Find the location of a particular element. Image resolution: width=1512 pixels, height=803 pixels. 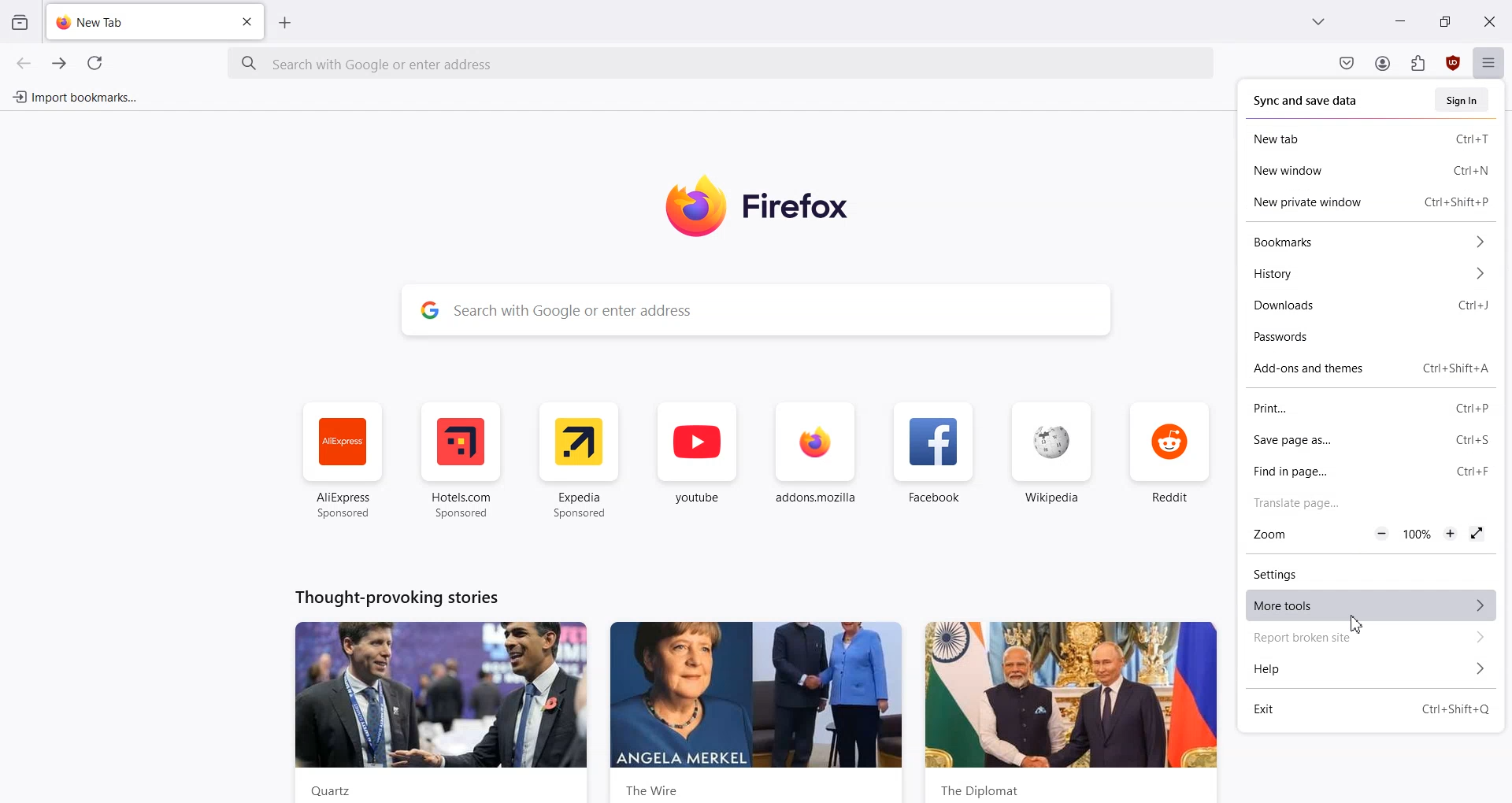

Extensions is located at coordinates (1418, 64).